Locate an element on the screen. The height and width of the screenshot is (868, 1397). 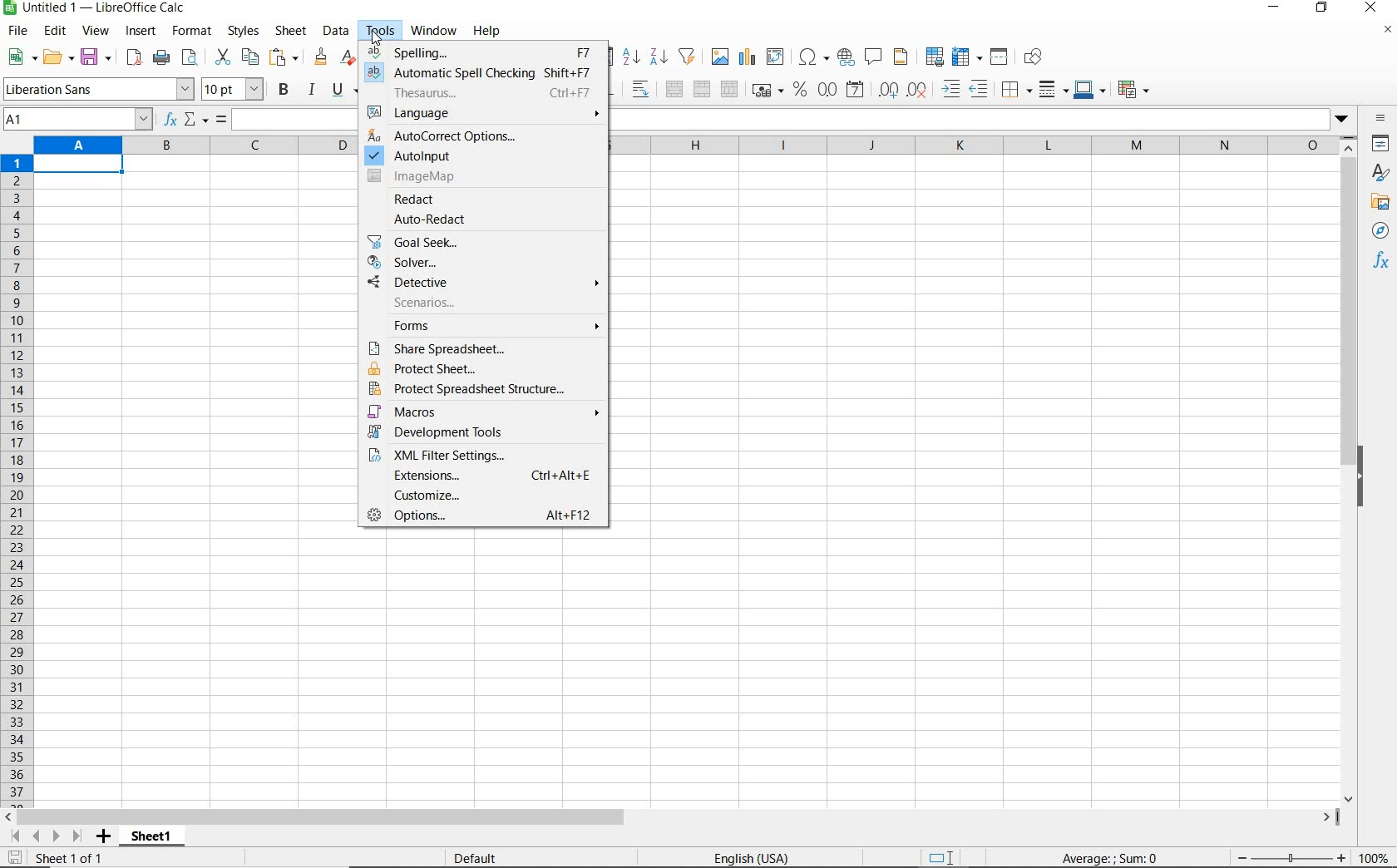
format as currency is located at coordinates (766, 91).